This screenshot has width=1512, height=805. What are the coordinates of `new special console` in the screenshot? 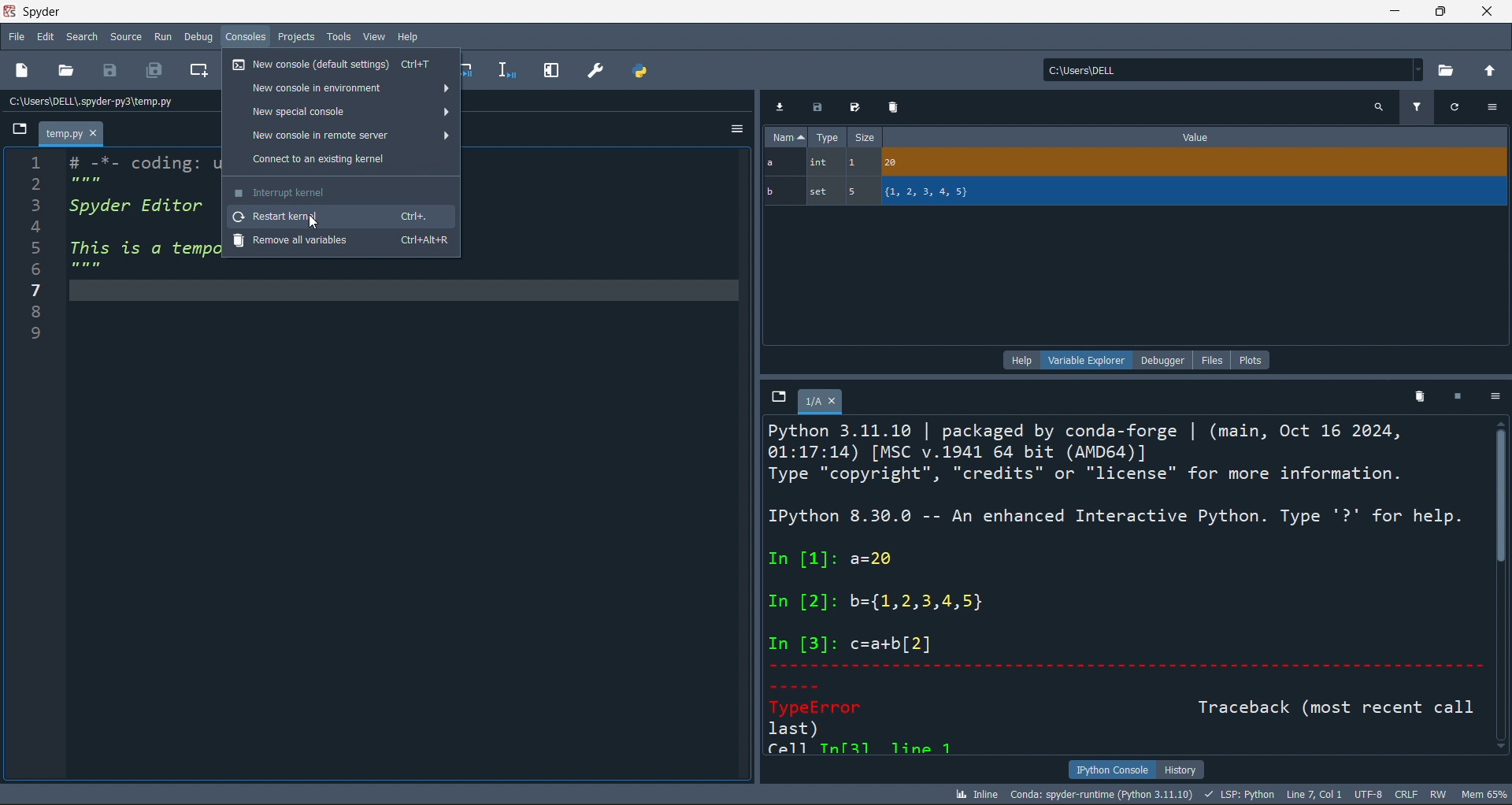 It's located at (340, 112).